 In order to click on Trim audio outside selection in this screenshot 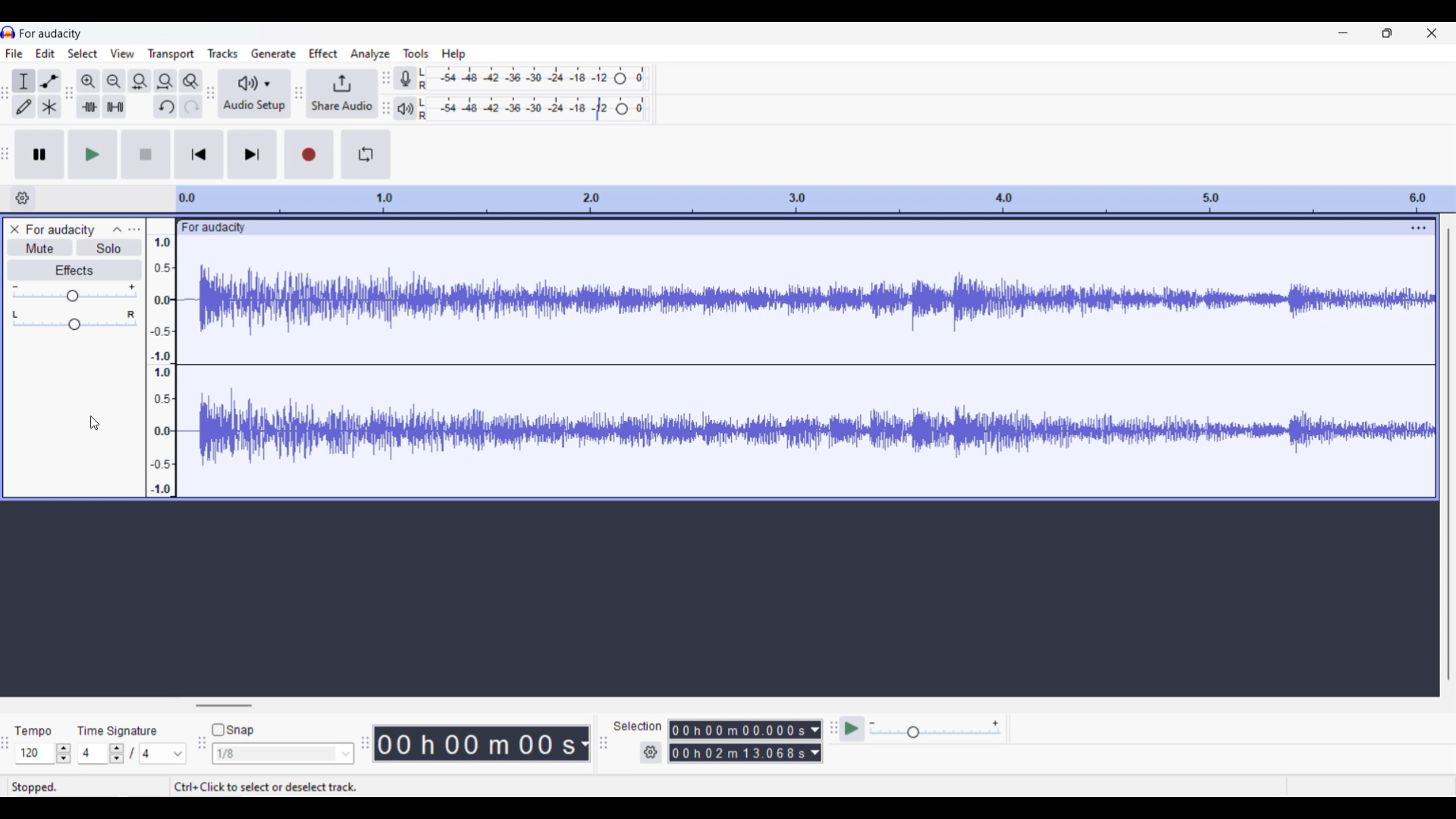, I will do `click(89, 107)`.